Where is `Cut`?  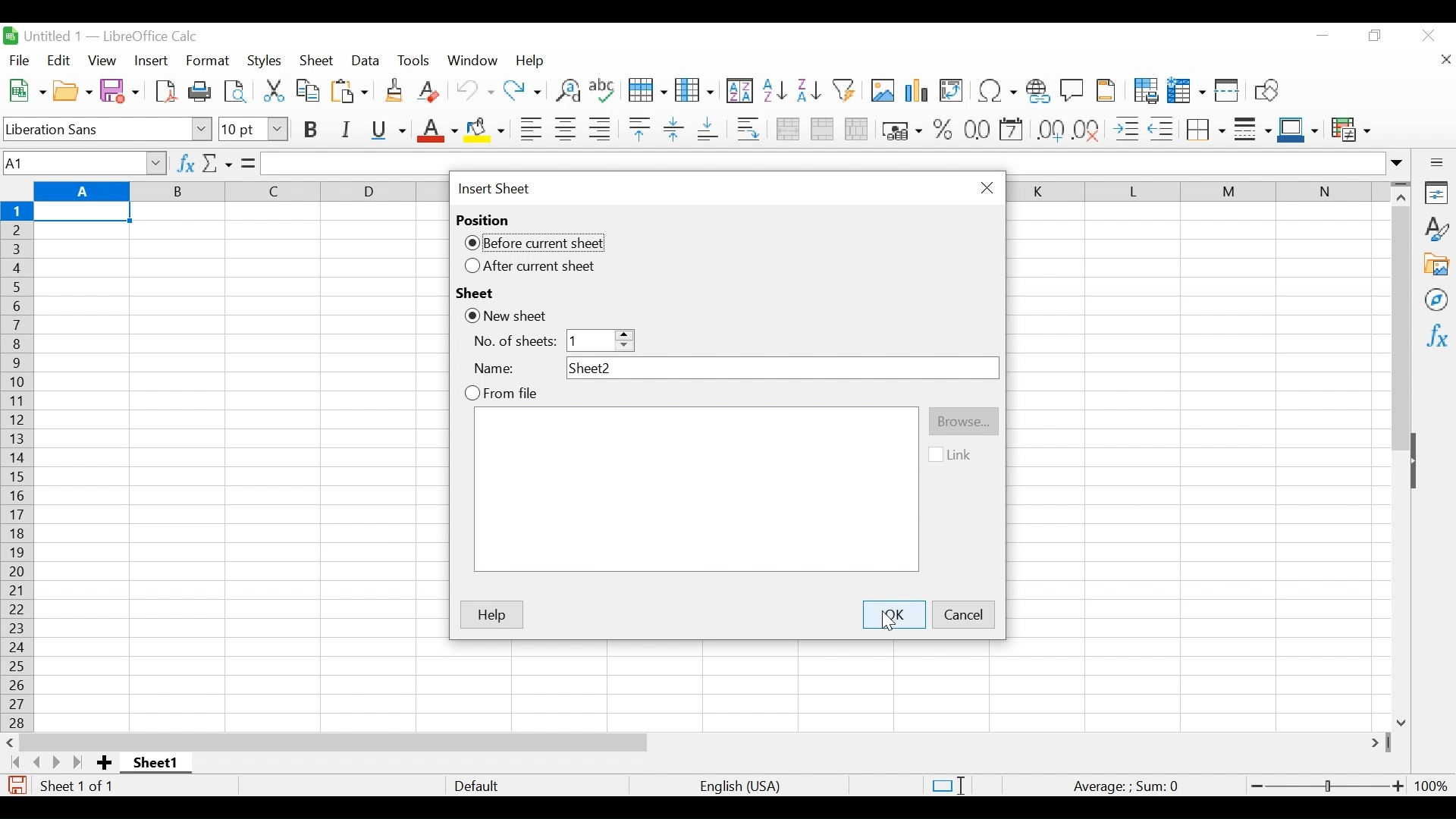
Cut is located at coordinates (271, 89).